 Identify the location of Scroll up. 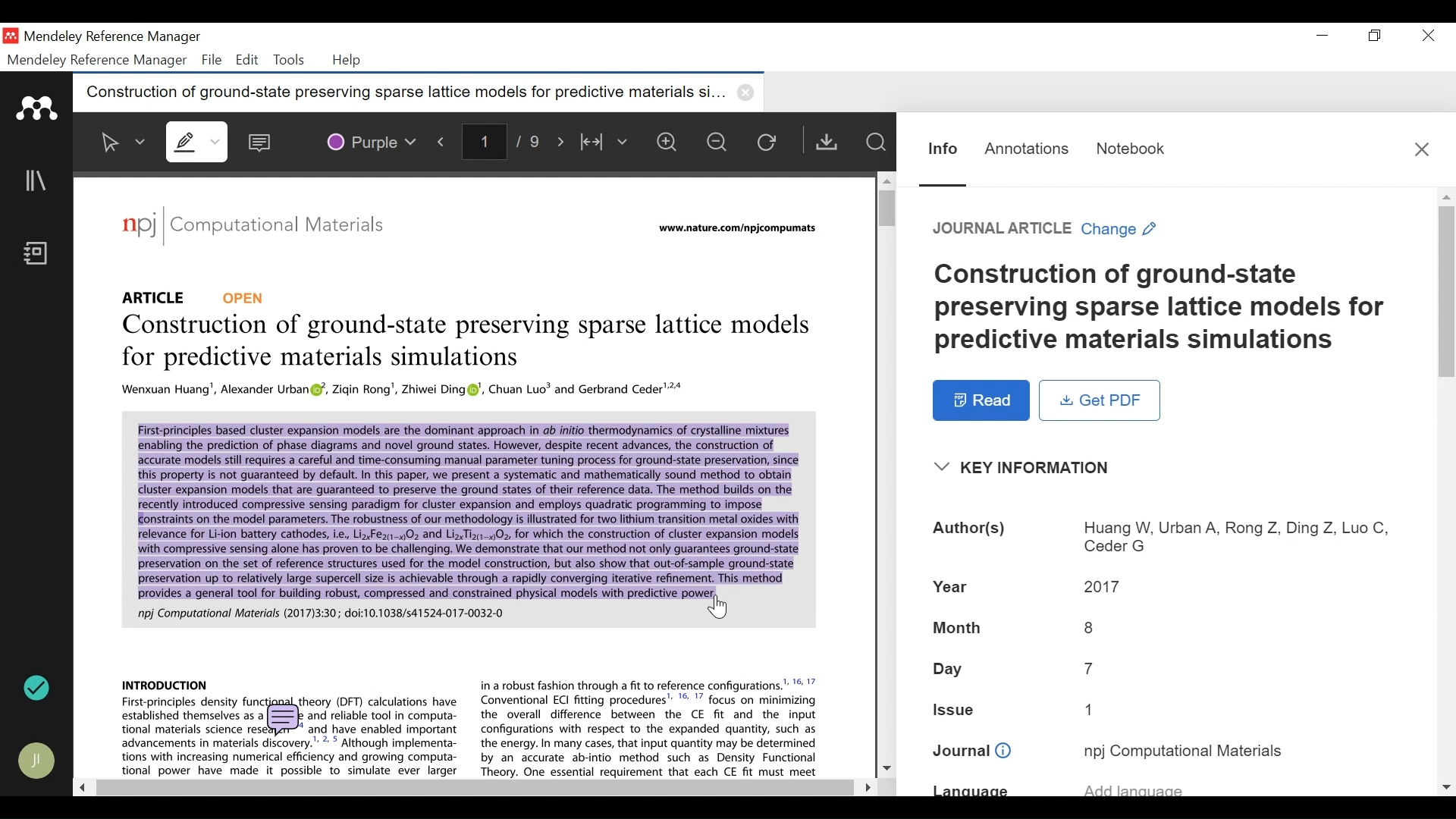
(1446, 196).